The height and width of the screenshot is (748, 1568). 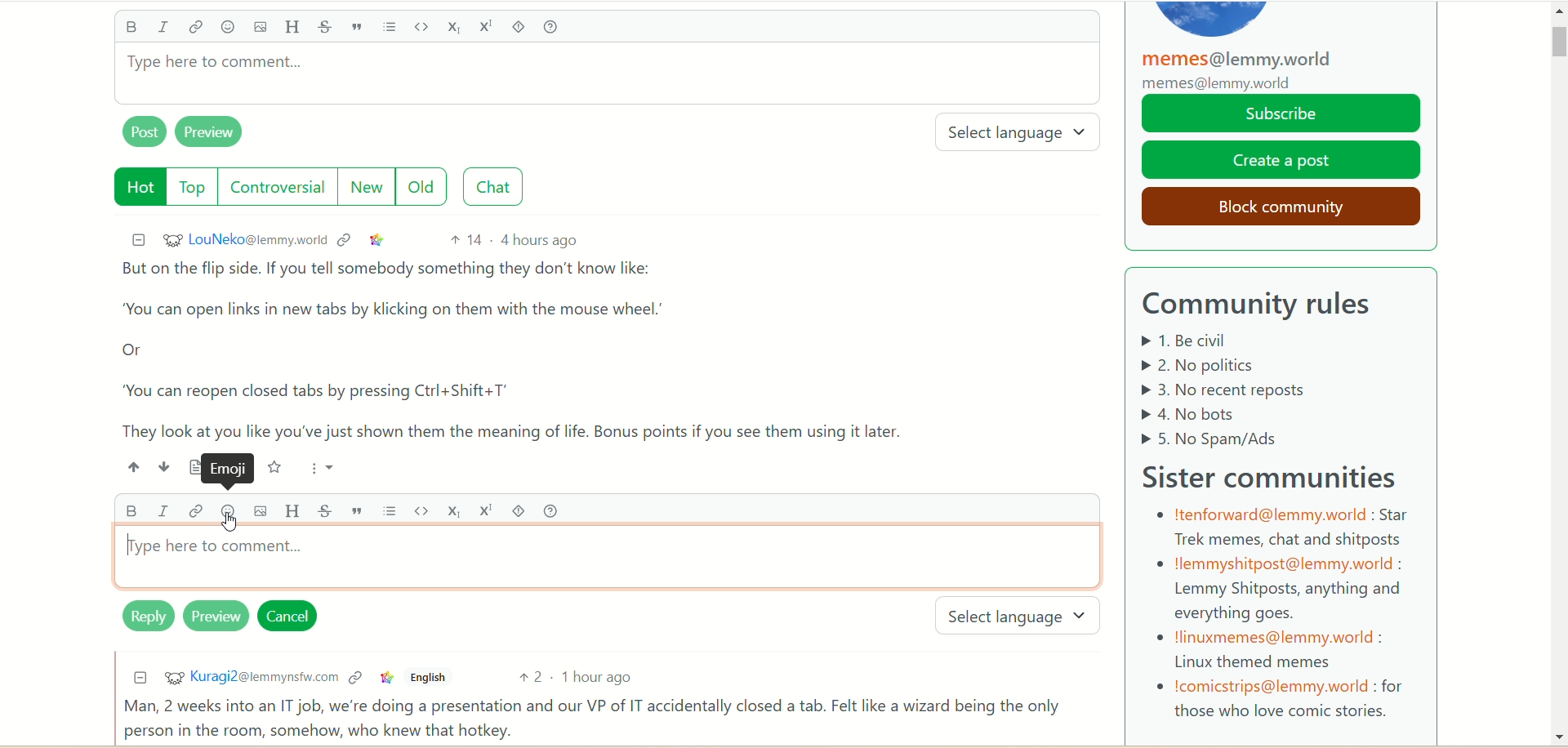 I want to click on image, so click(x=259, y=29).